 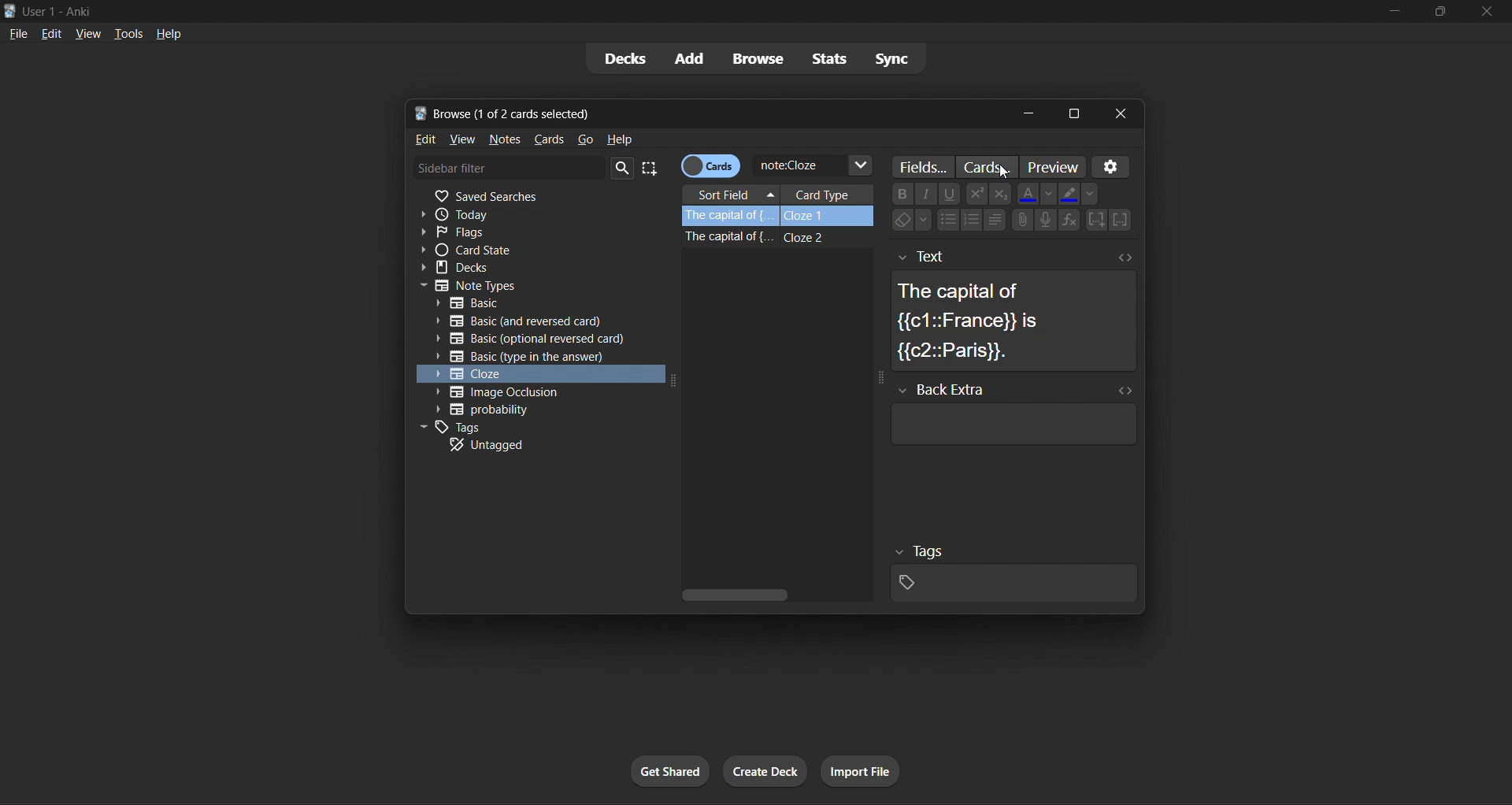 What do you see at coordinates (532, 251) in the screenshot?
I see `card state filter expand` at bounding box center [532, 251].